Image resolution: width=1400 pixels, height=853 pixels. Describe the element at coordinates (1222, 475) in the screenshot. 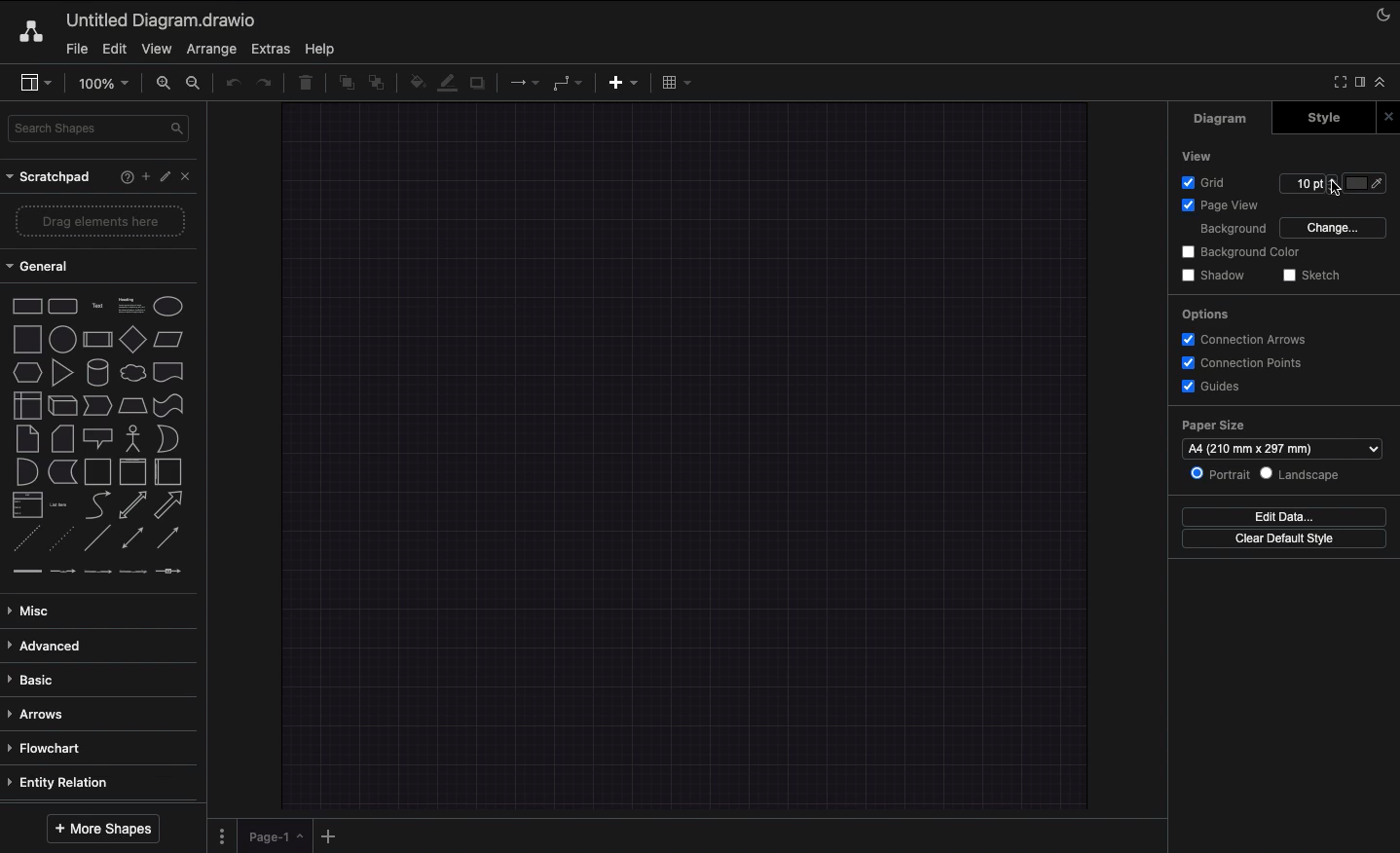

I see `Portrait` at that location.